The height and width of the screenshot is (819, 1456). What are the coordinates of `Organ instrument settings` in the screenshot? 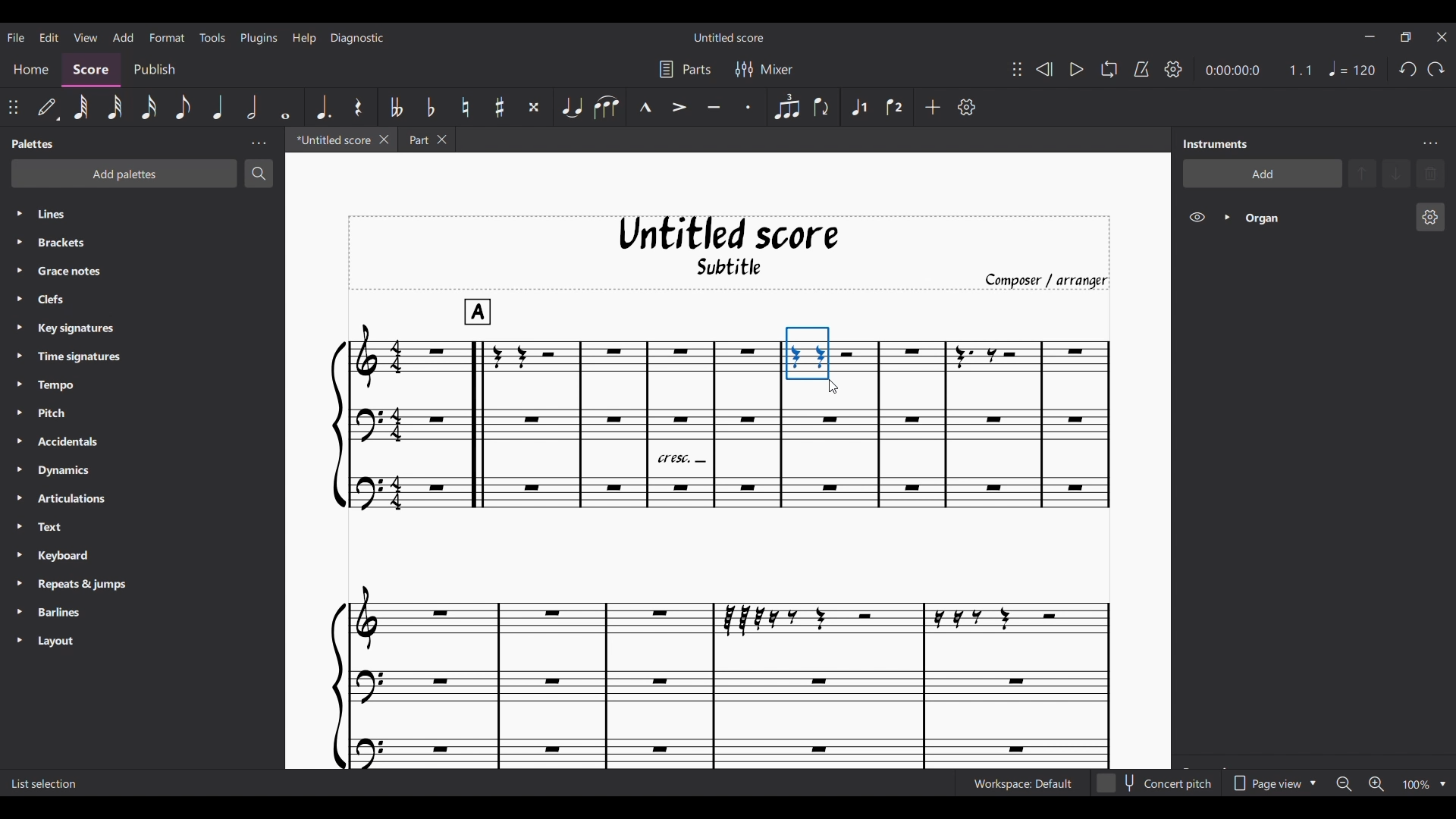 It's located at (1430, 217).